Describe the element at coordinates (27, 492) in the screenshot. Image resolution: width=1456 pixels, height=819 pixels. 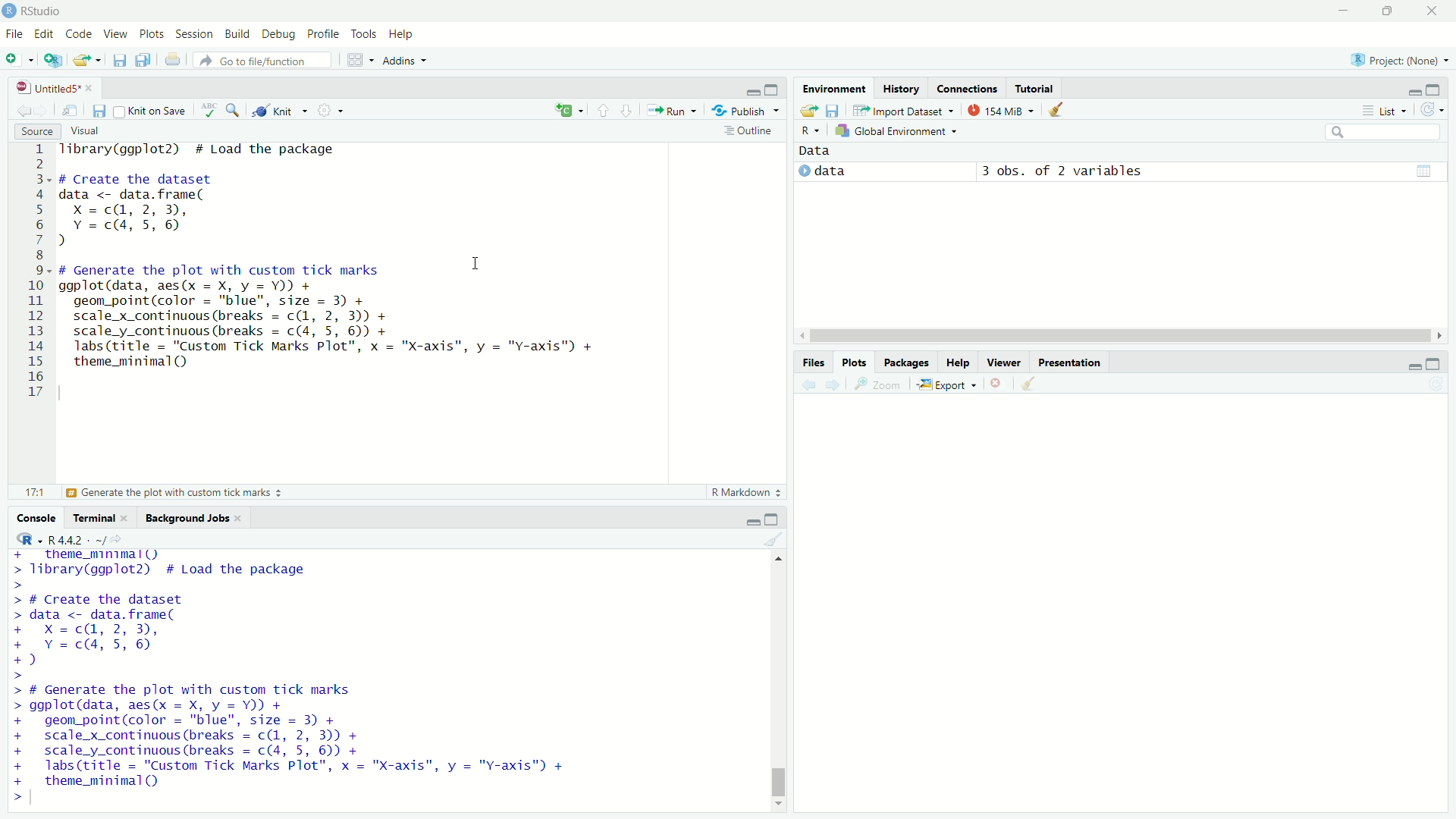
I see `17:1` at that location.